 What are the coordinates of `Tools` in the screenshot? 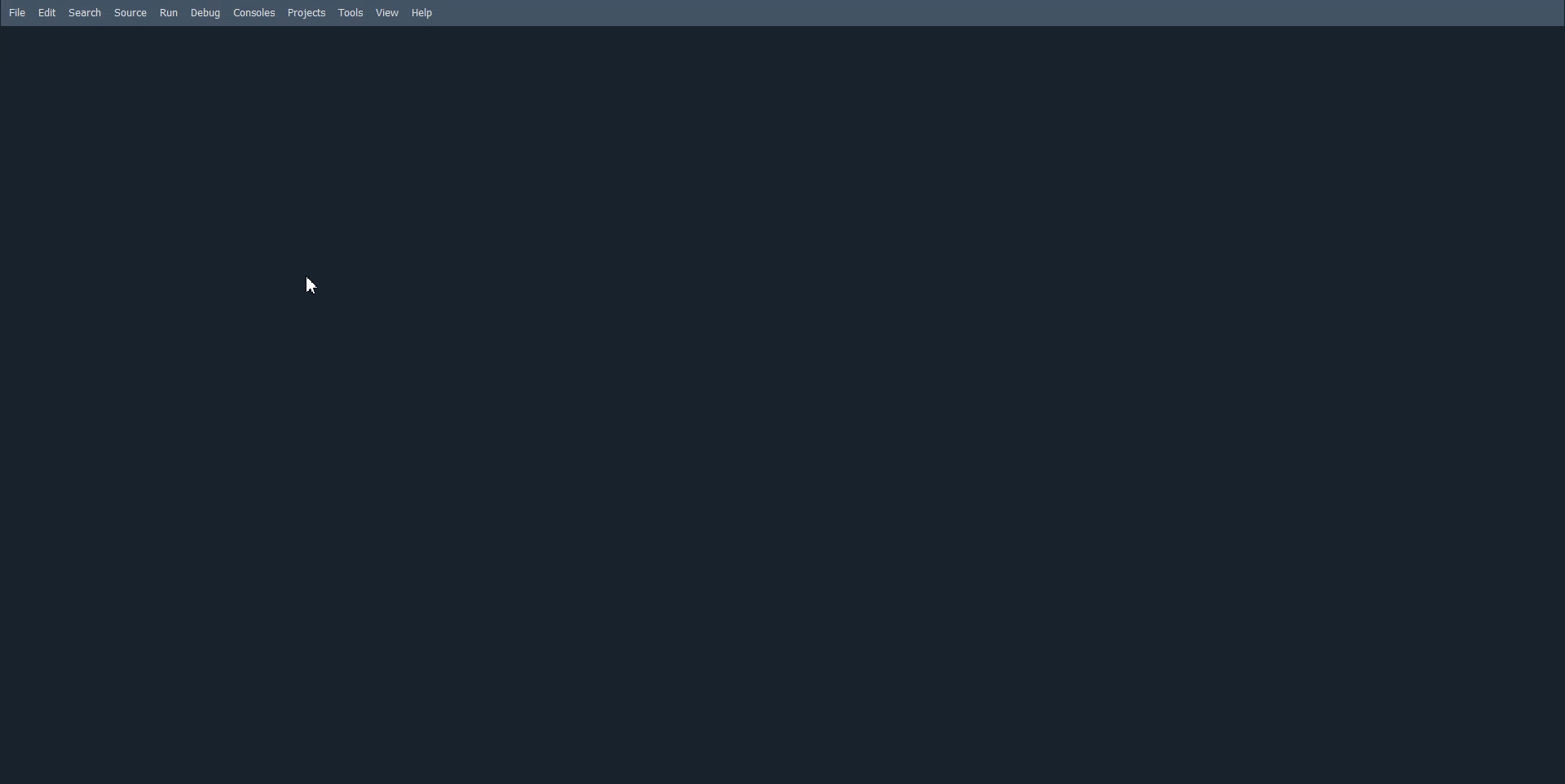 It's located at (351, 13).